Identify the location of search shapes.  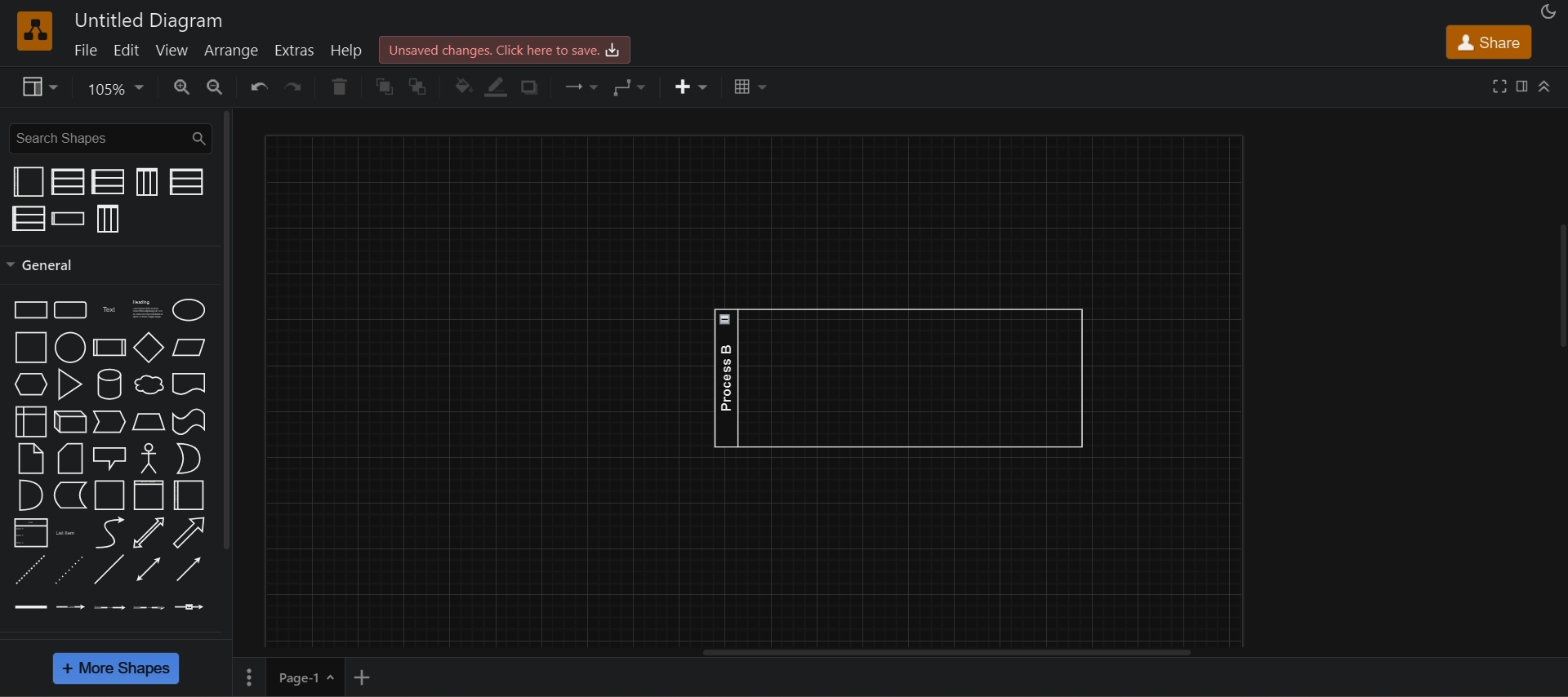
(109, 137).